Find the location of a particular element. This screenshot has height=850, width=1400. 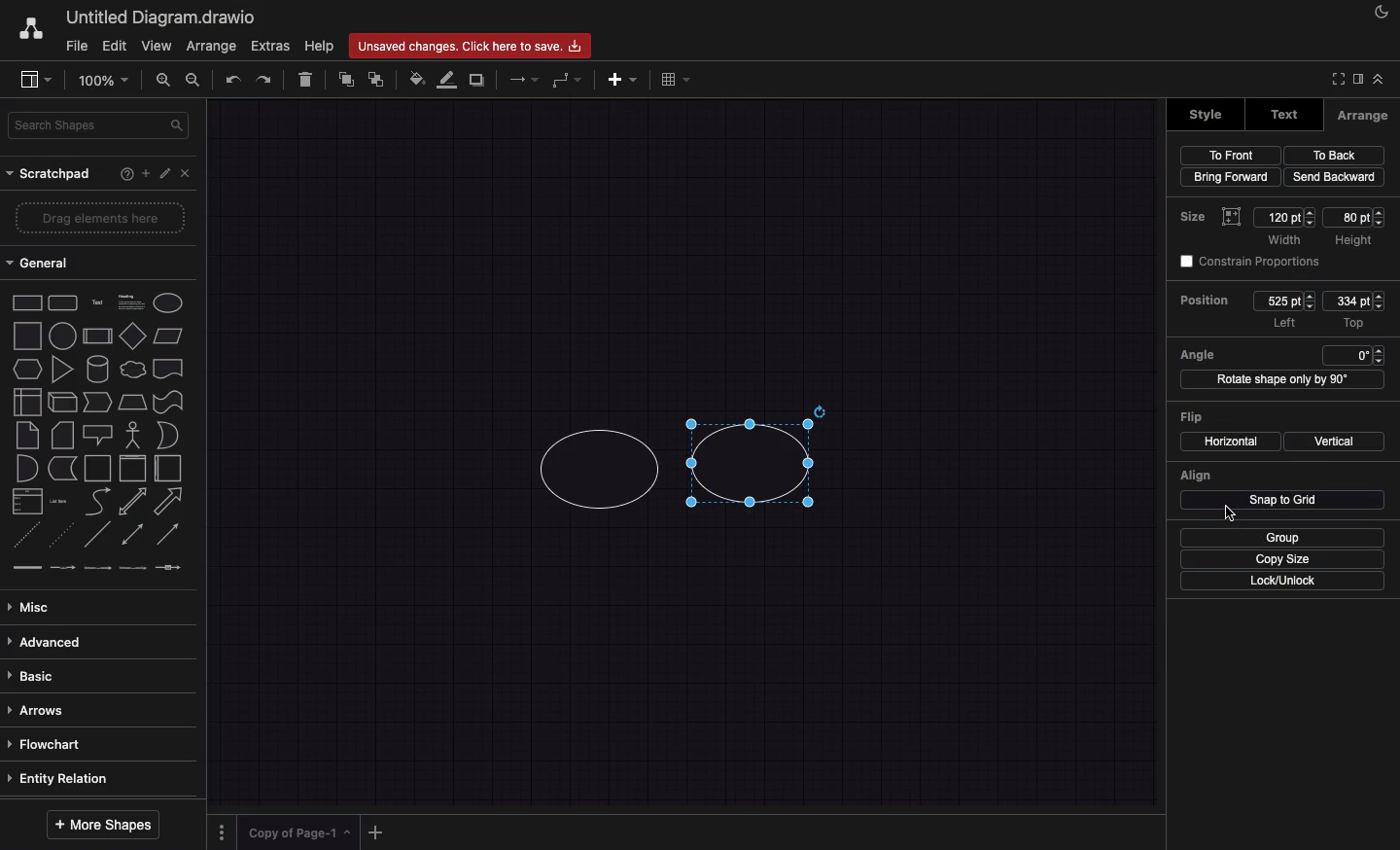

add new page is located at coordinates (376, 832).